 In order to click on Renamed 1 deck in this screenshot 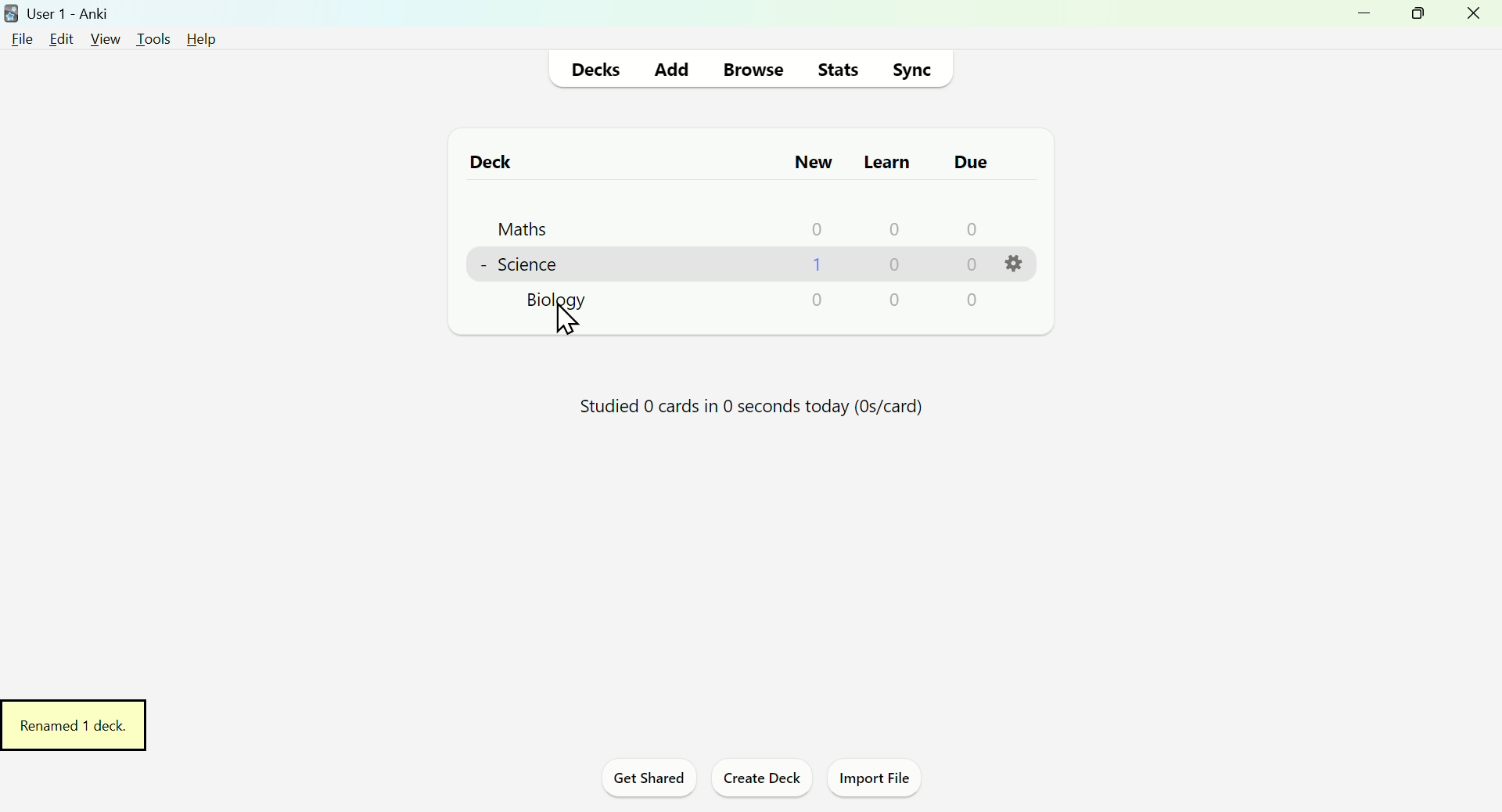, I will do `click(77, 724)`.